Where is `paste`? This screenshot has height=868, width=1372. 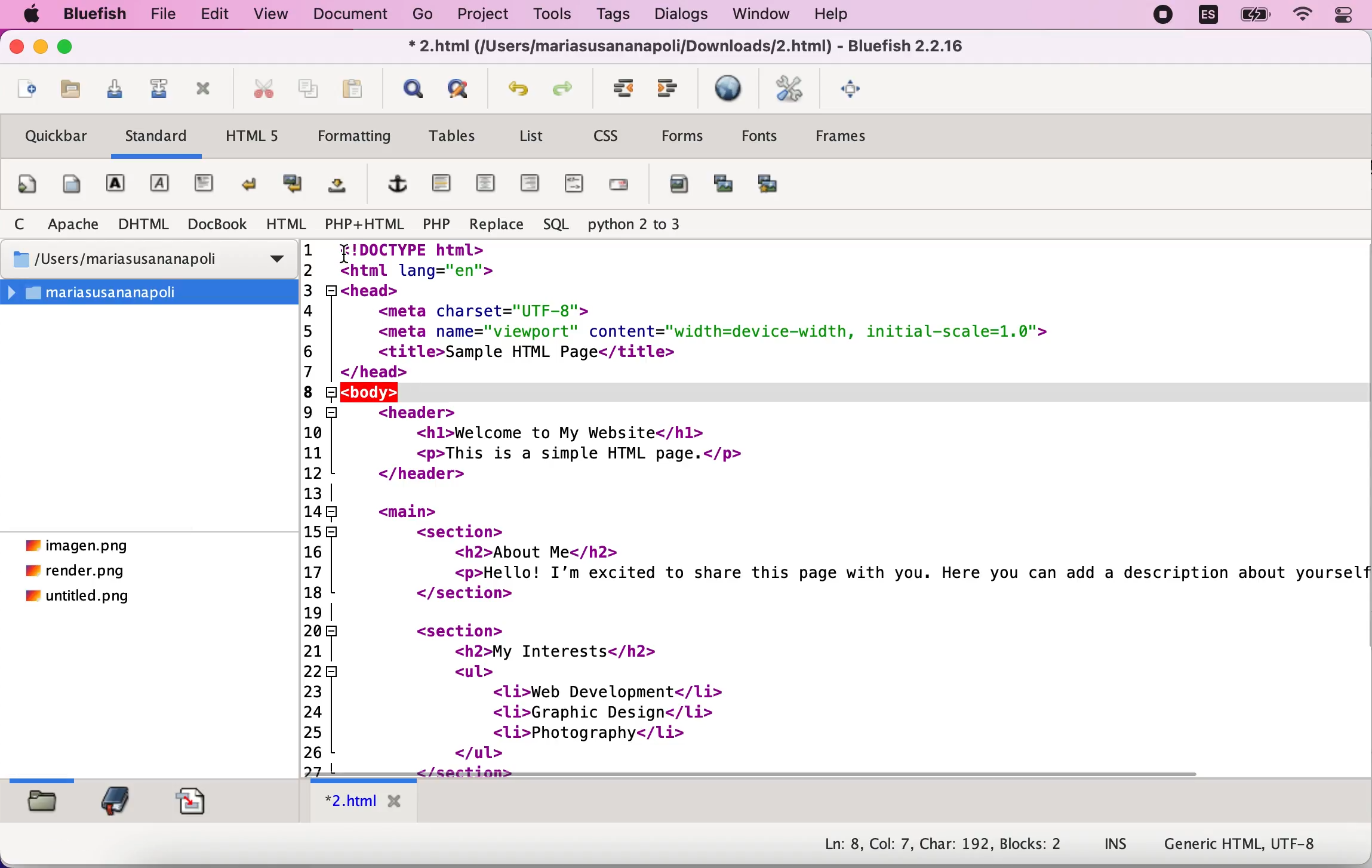 paste is located at coordinates (361, 86).